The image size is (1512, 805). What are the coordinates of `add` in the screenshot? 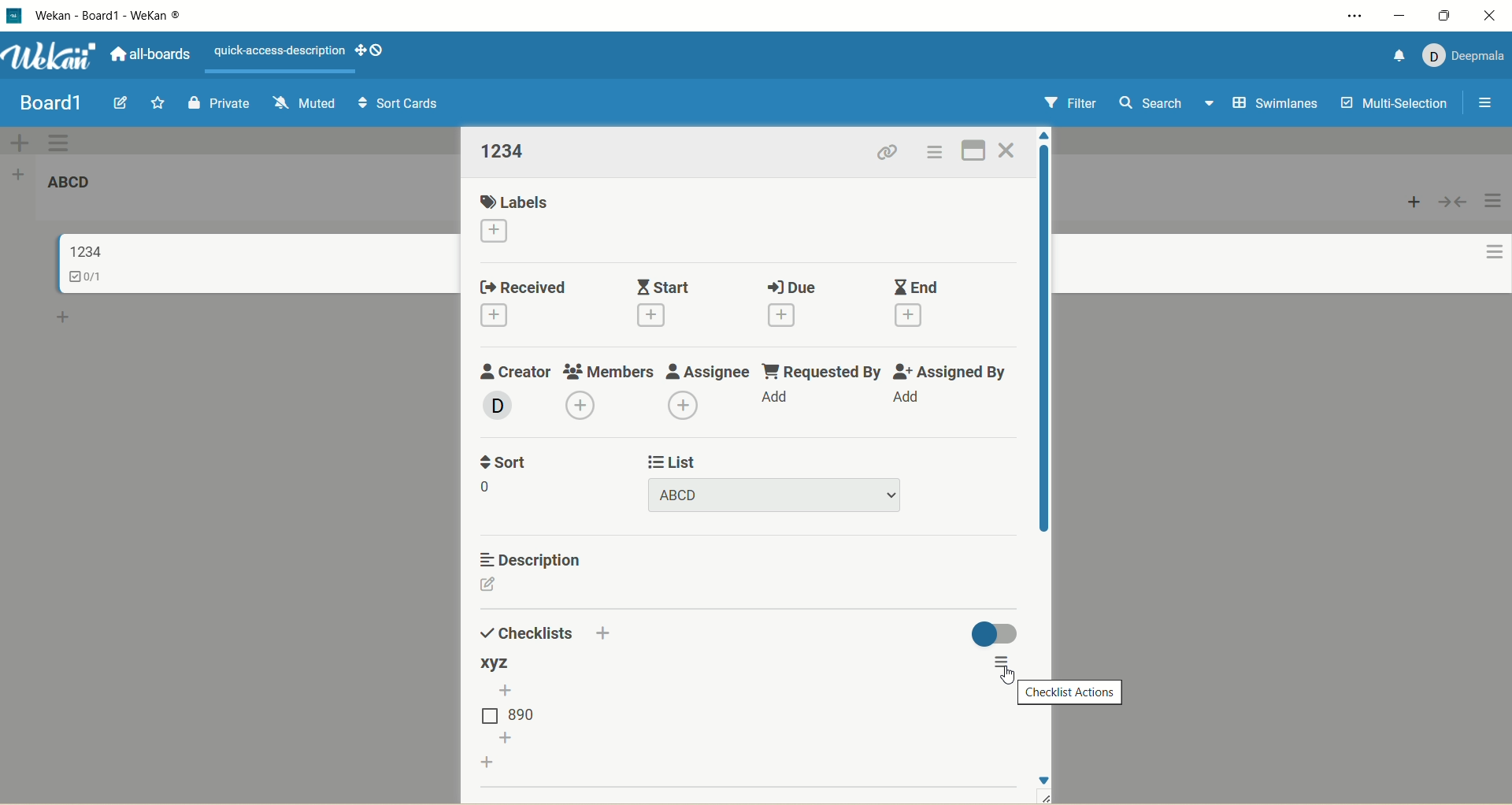 It's located at (660, 317).